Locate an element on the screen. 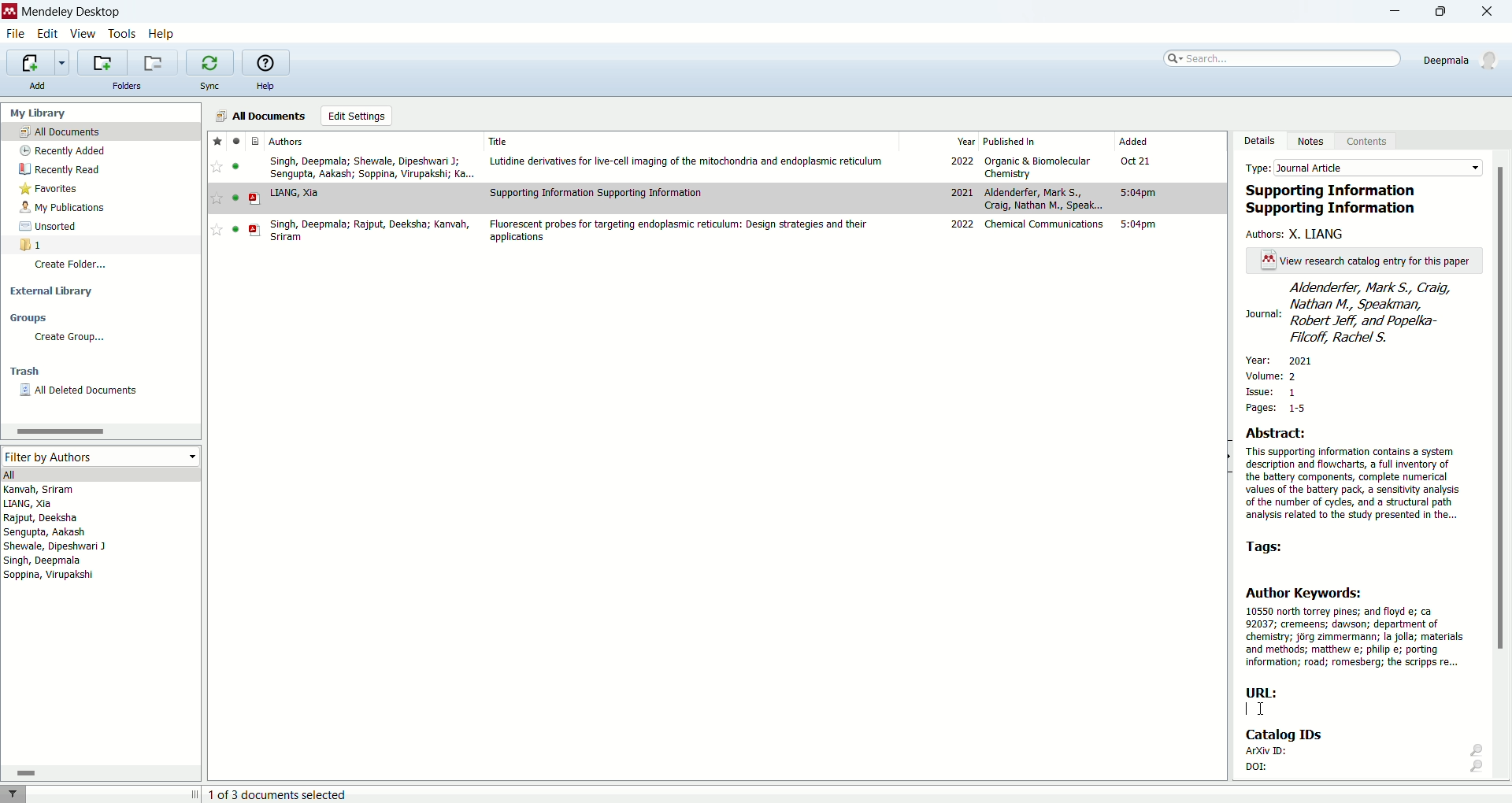 The image size is (1512, 803). view research catalog entry for this paper is located at coordinates (1360, 261).